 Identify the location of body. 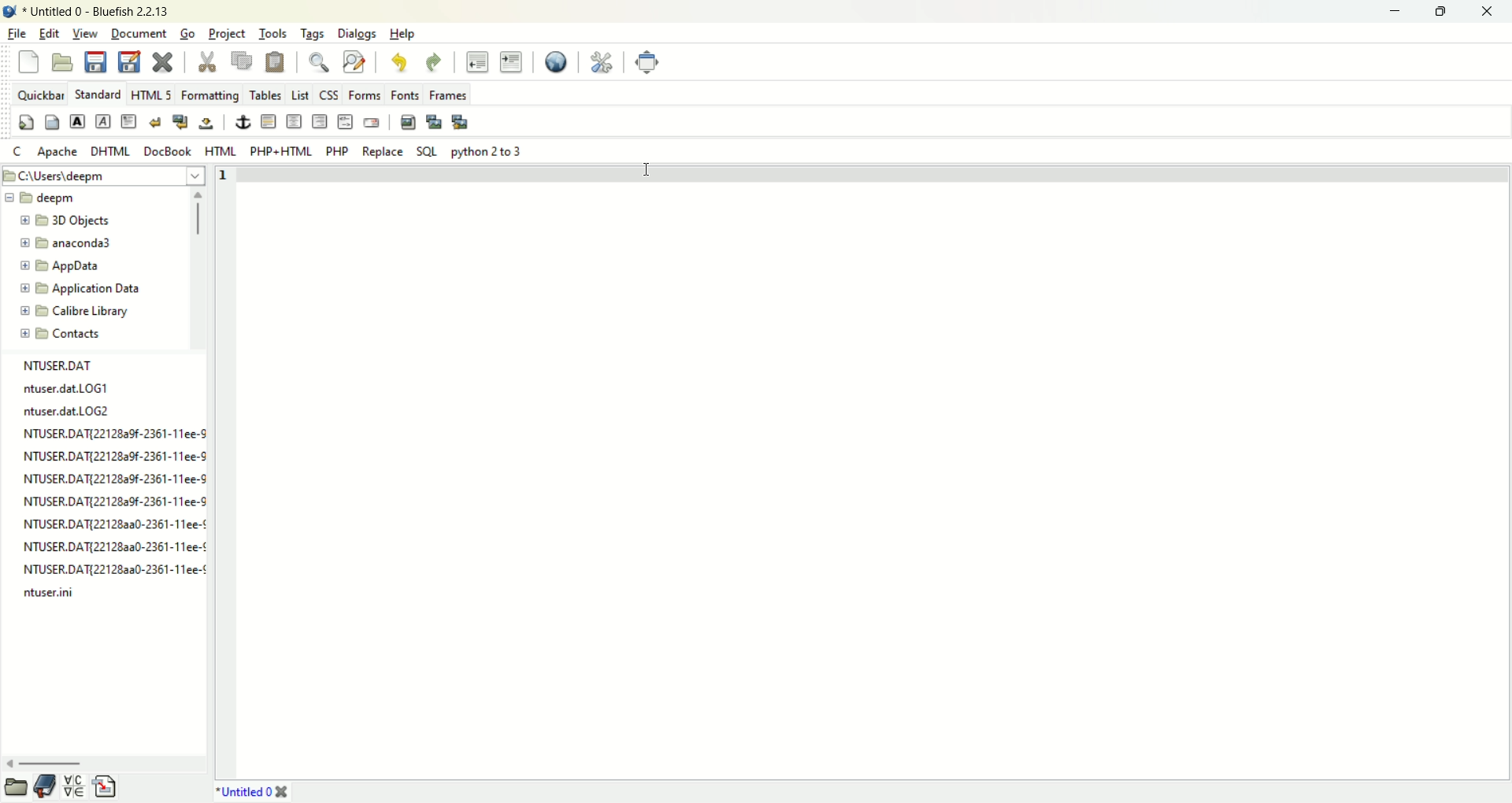
(54, 122).